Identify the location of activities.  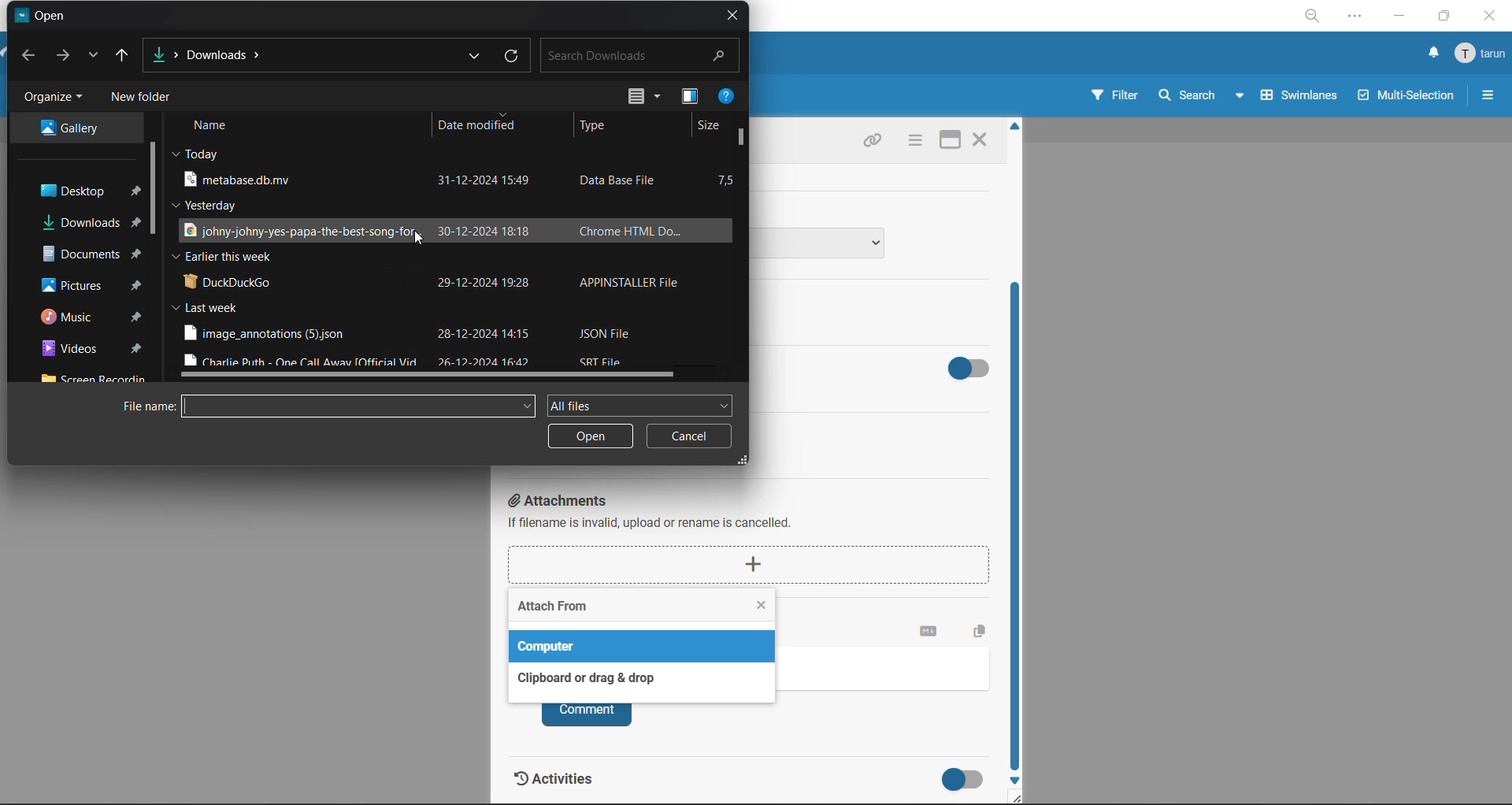
(567, 783).